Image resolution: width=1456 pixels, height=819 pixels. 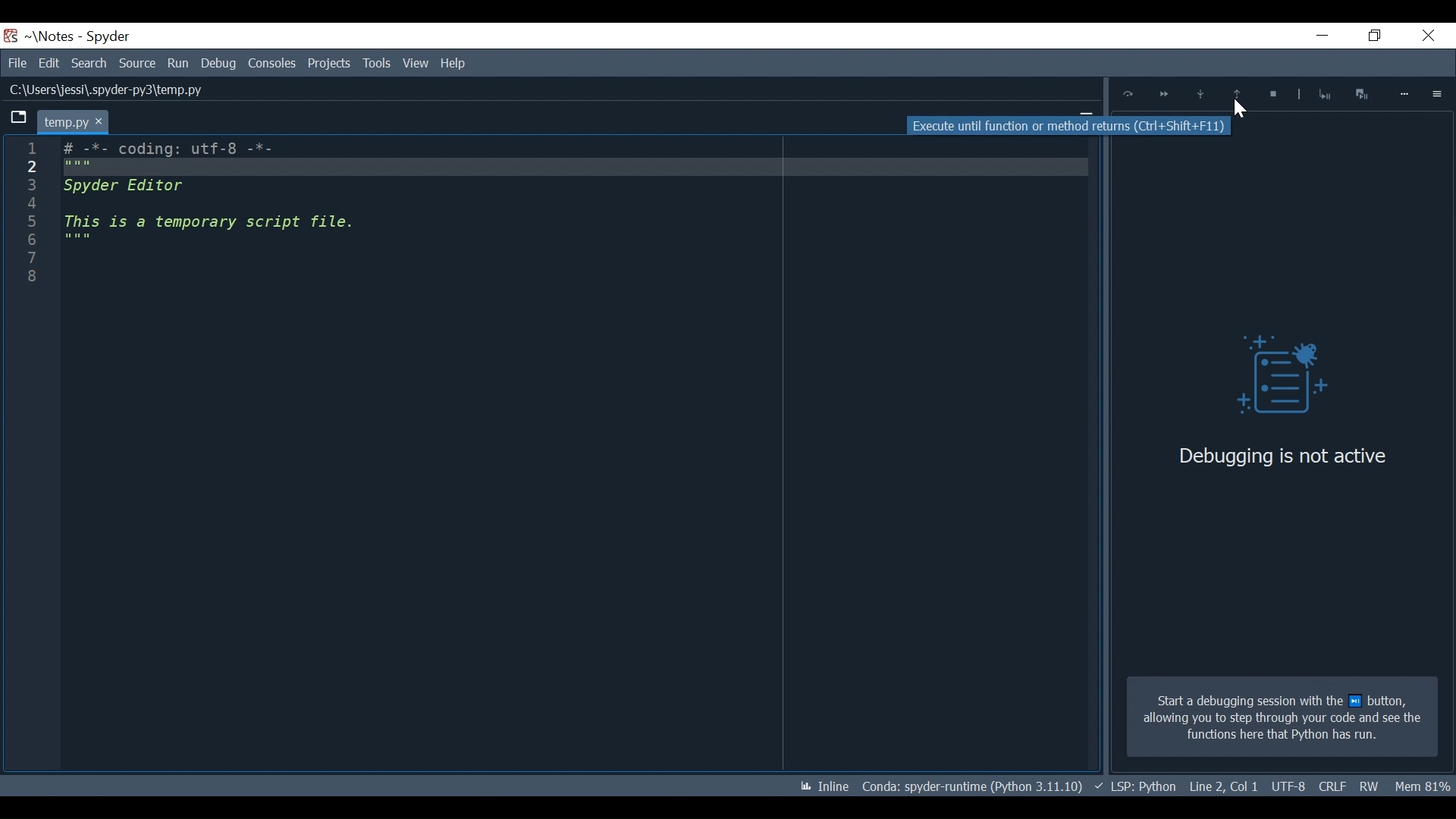 What do you see at coordinates (1238, 110) in the screenshot?
I see `Cursor ` at bounding box center [1238, 110].